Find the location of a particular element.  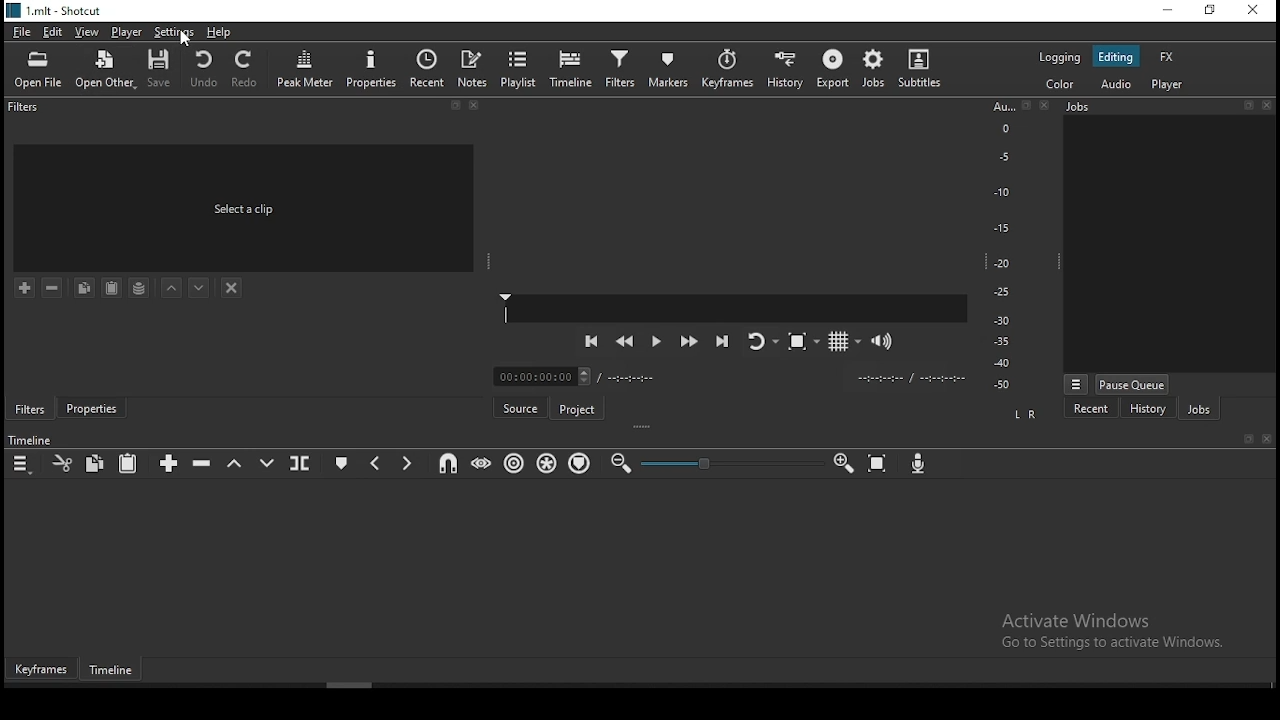

snap is located at coordinates (450, 464).